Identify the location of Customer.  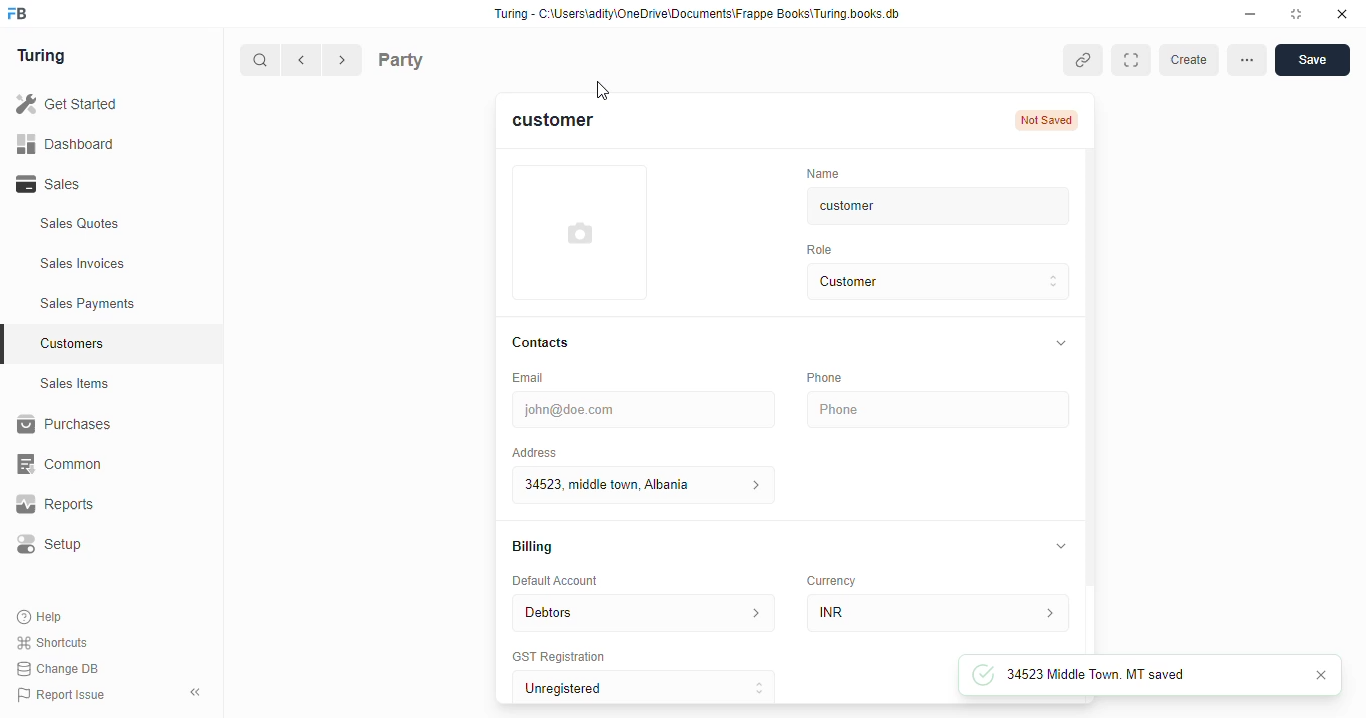
(915, 282).